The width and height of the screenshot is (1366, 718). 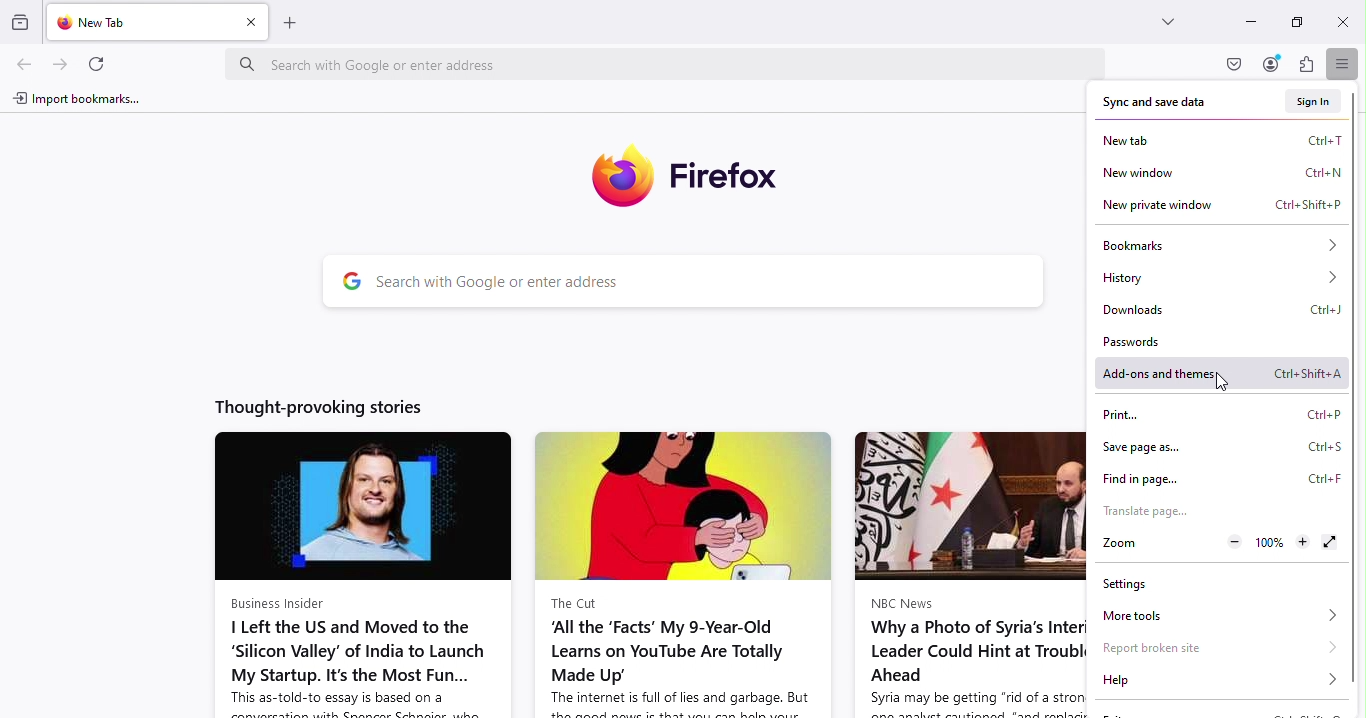 What do you see at coordinates (1221, 310) in the screenshot?
I see `Downloads` at bounding box center [1221, 310].